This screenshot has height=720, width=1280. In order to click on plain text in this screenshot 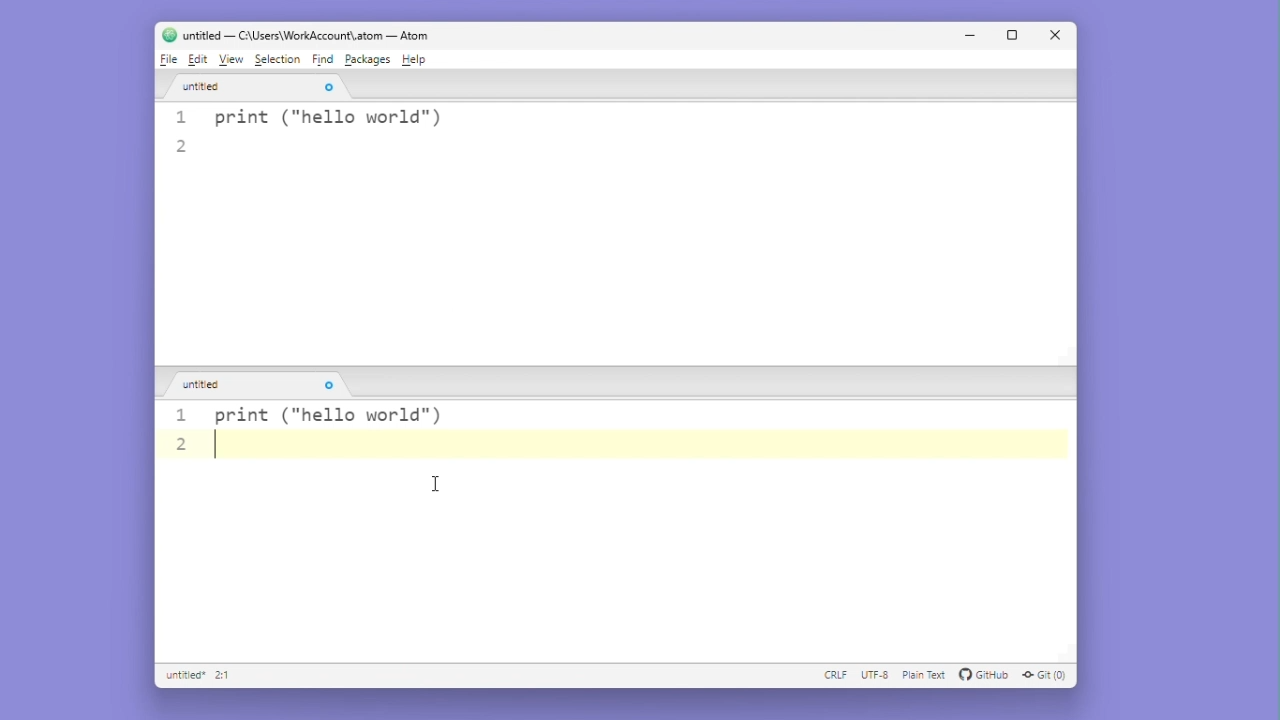, I will do `click(925, 676)`.